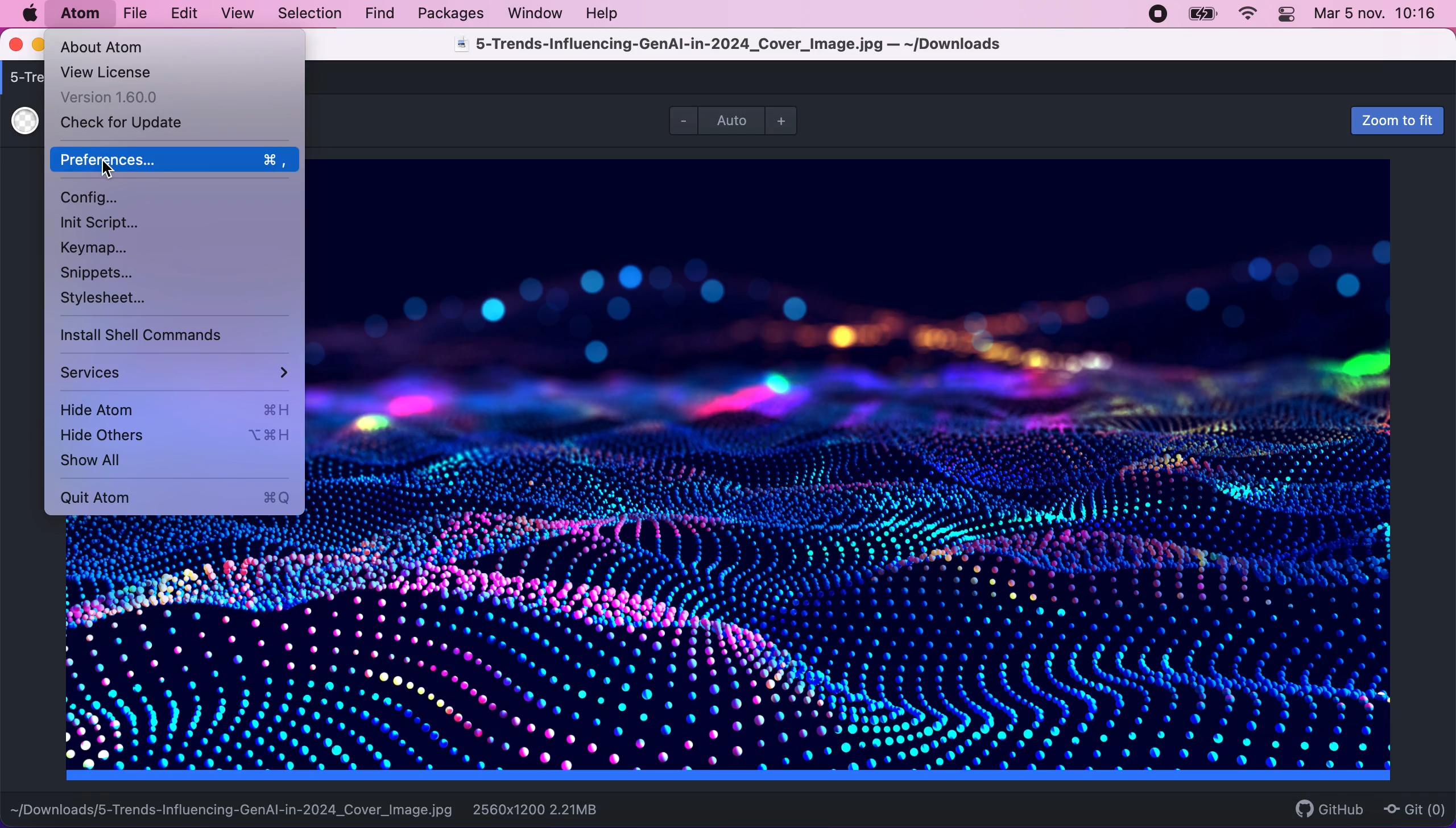 This screenshot has height=828, width=1456. Describe the element at coordinates (113, 169) in the screenshot. I see `cursor` at that location.